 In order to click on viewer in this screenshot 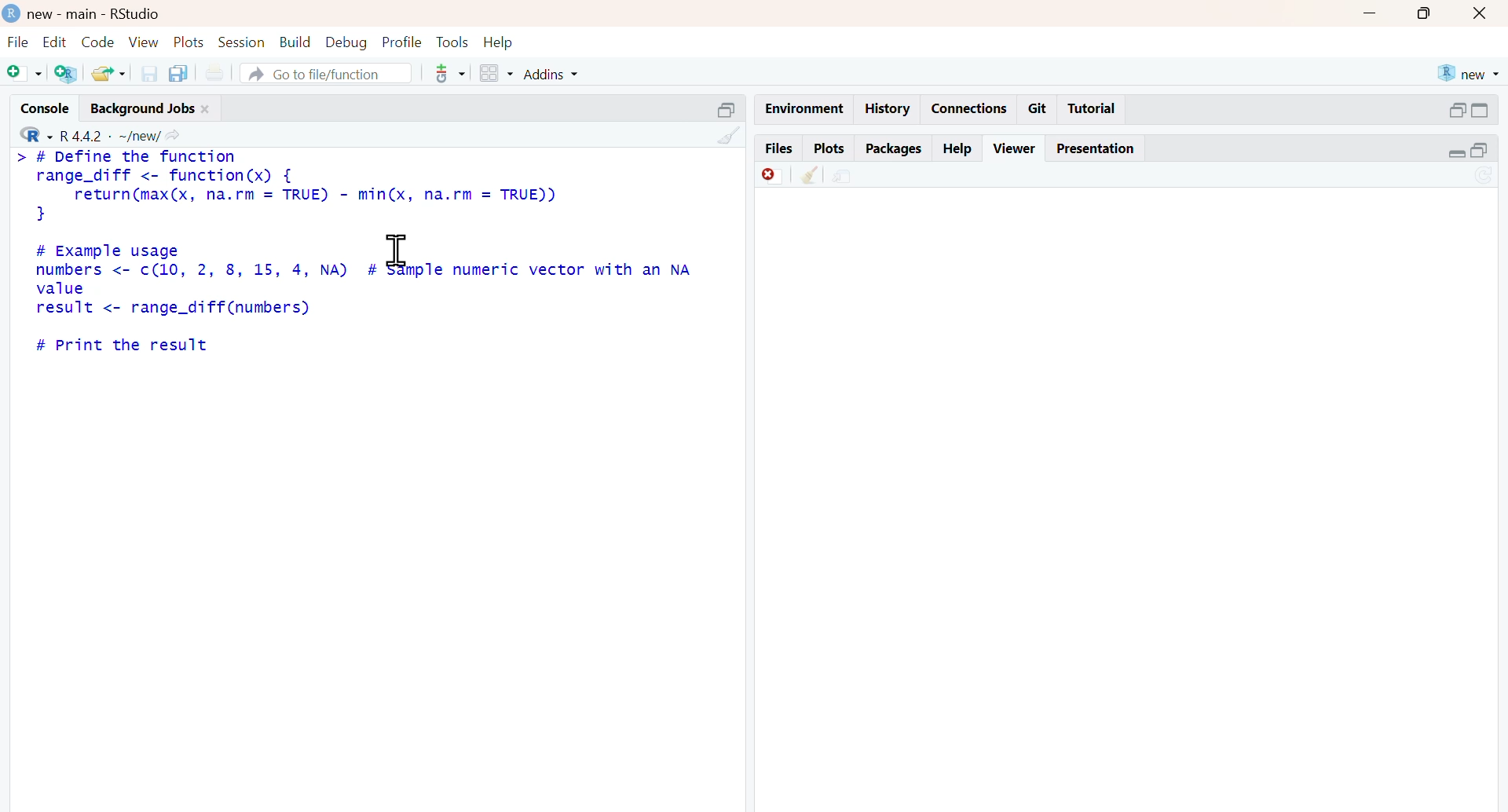, I will do `click(1016, 148)`.